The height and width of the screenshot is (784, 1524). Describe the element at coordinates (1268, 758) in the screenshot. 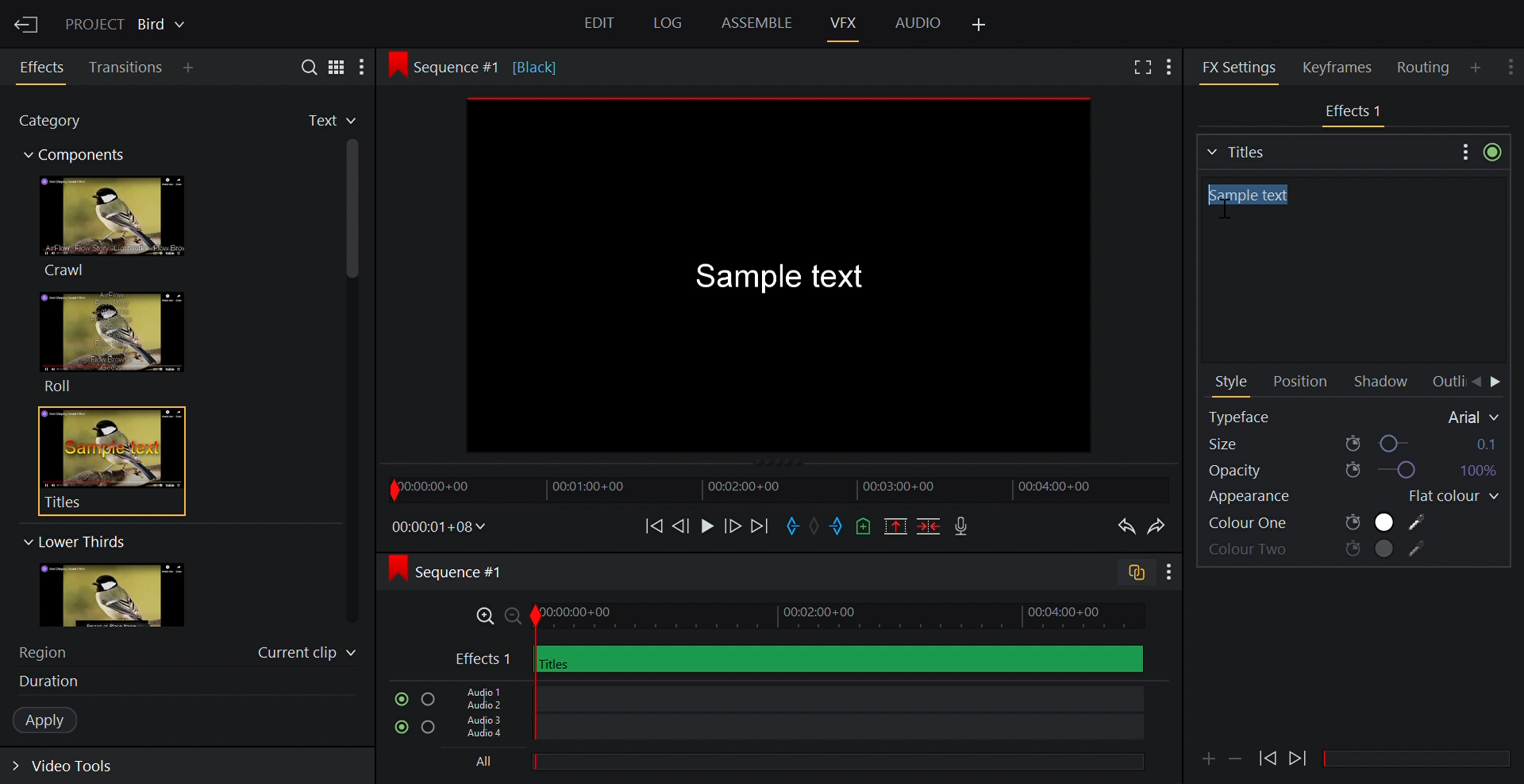

I see `Play Forward` at that location.